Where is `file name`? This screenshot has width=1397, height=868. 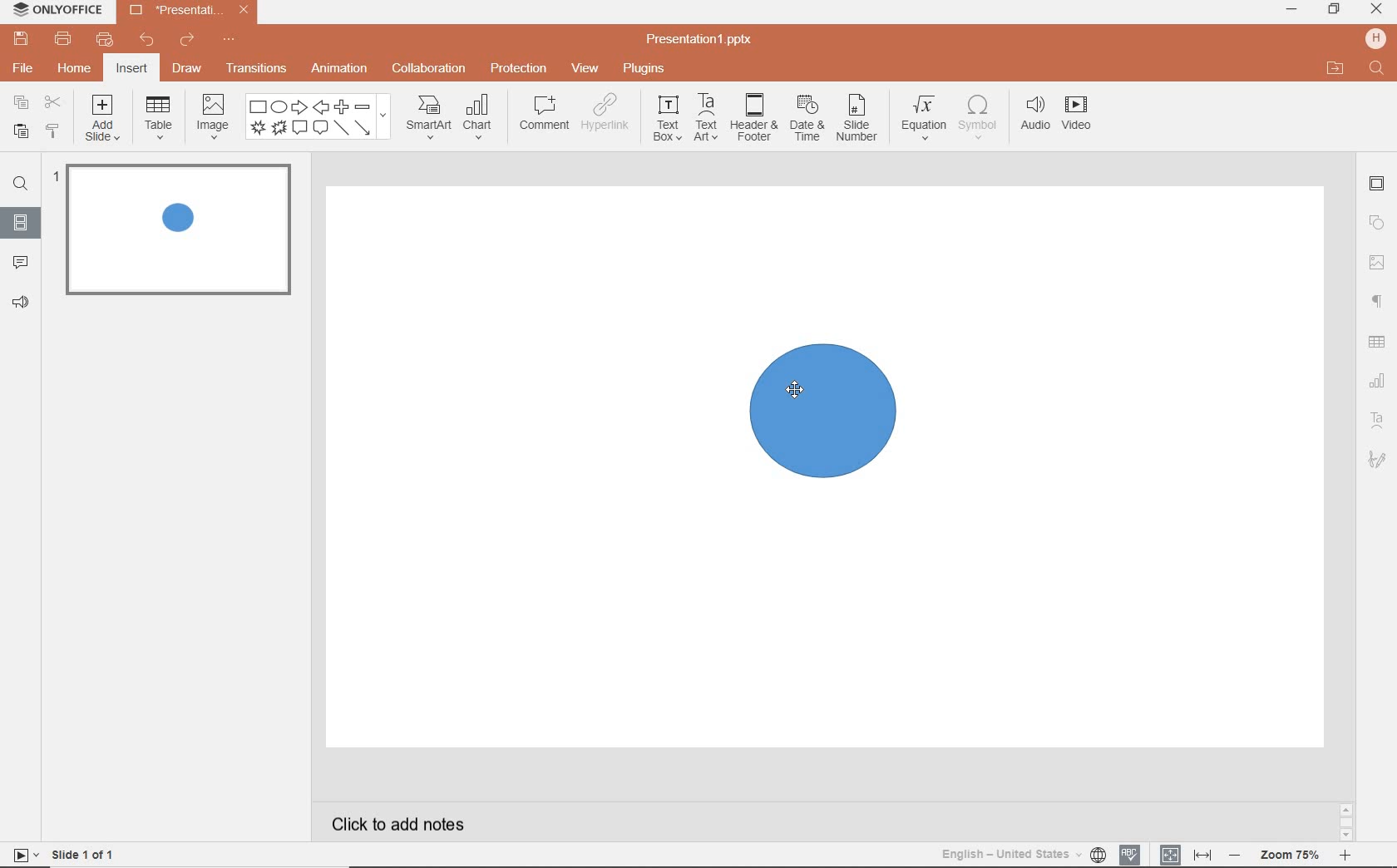 file name is located at coordinates (187, 11).